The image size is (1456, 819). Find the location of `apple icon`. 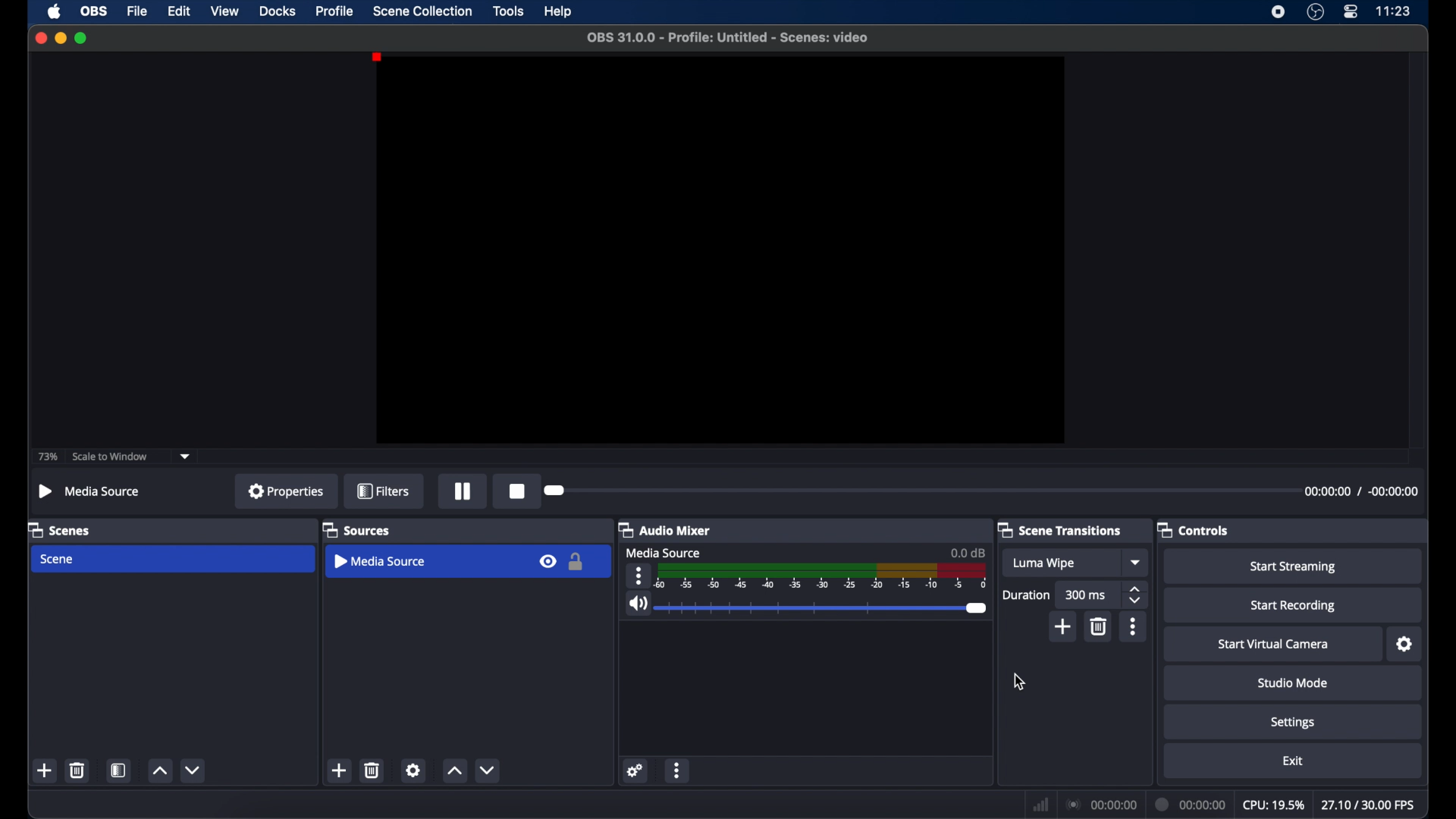

apple icon is located at coordinates (55, 12).